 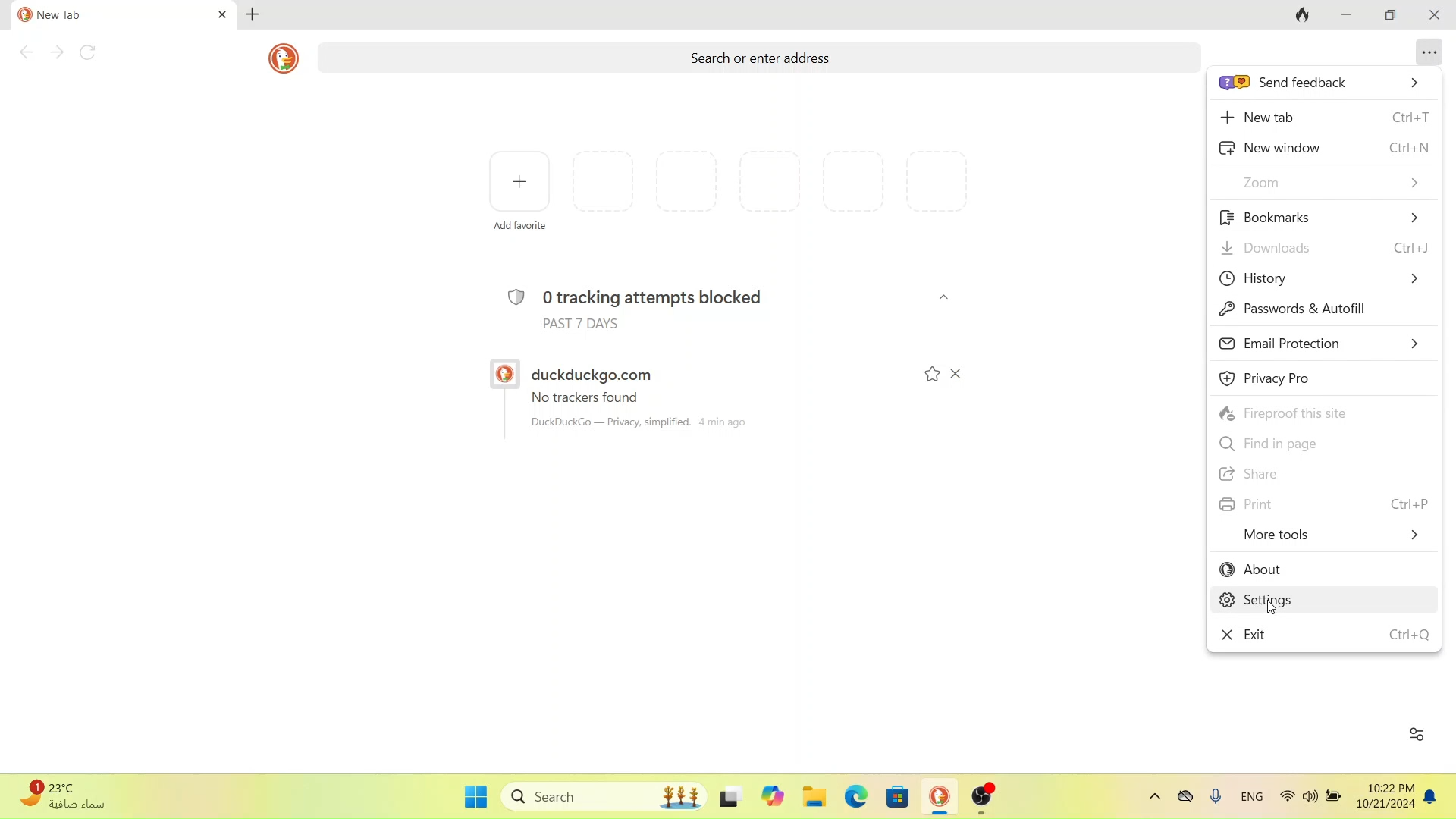 What do you see at coordinates (1319, 532) in the screenshot?
I see `more tools` at bounding box center [1319, 532].